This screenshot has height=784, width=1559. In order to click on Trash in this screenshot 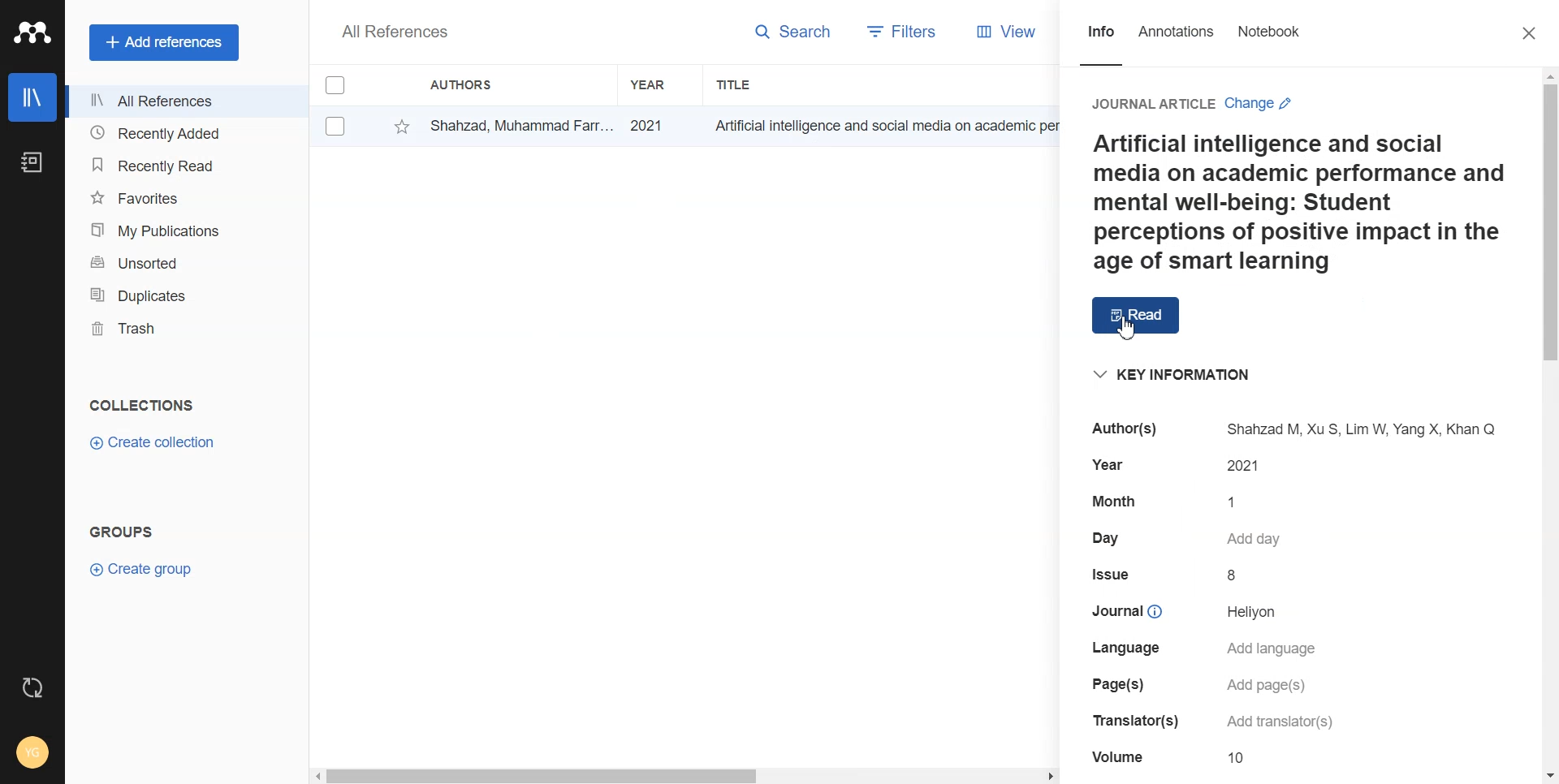, I will do `click(184, 330)`.